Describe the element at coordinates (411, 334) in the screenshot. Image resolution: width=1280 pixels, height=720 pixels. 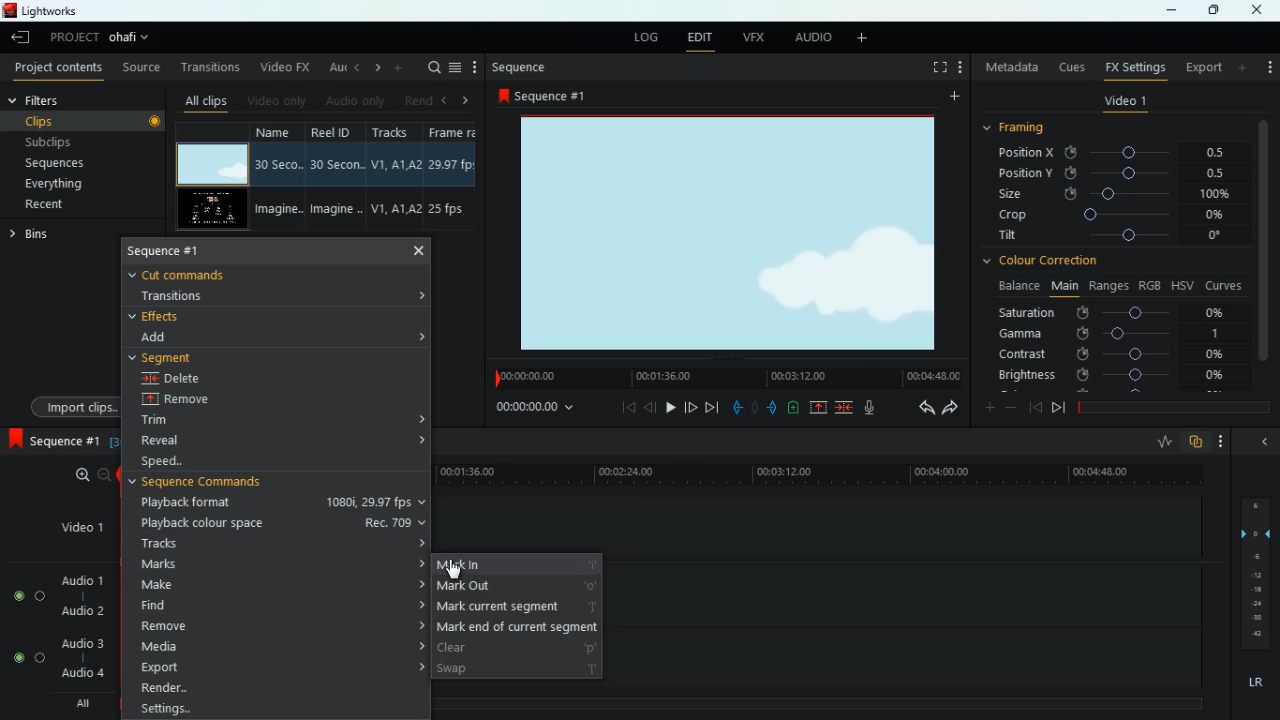
I see `expand` at that location.